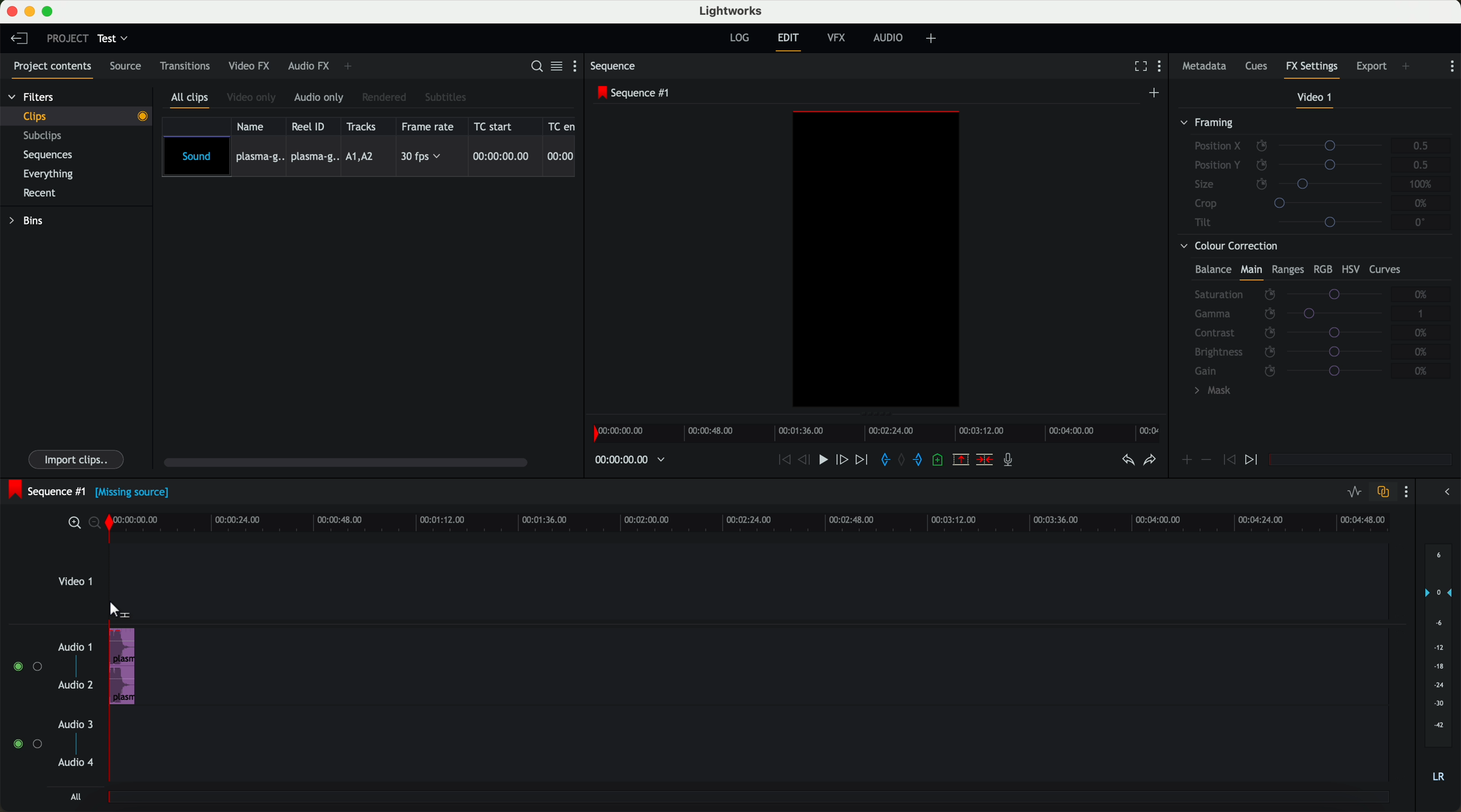 This screenshot has width=1461, height=812. What do you see at coordinates (369, 157) in the screenshot?
I see `imported sound` at bounding box center [369, 157].